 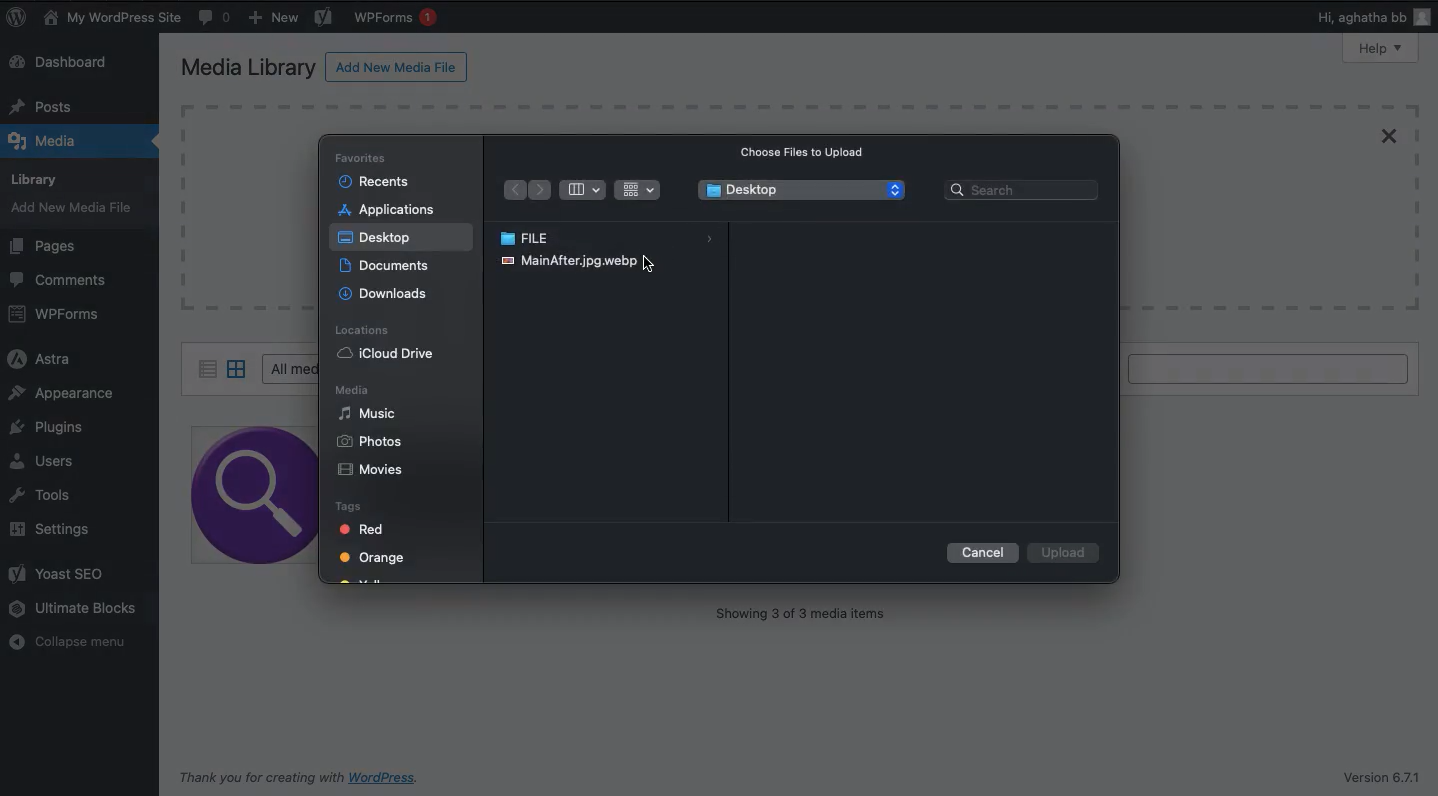 What do you see at coordinates (372, 442) in the screenshot?
I see `Phots` at bounding box center [372, 442].